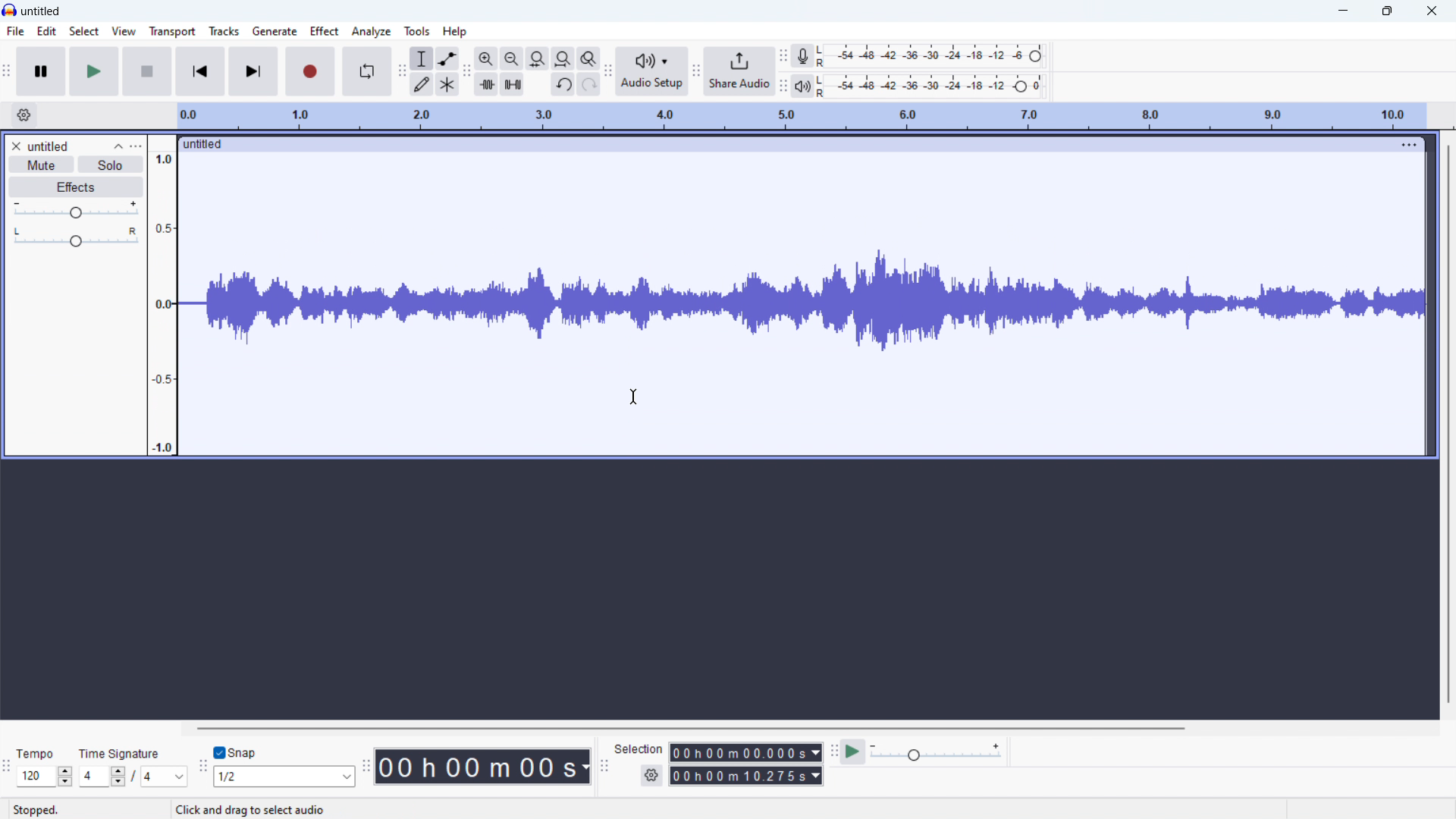 This screenshot has height=819, width=1456. What do you see at coordinates (202, 769) in the screenshot?
I see `snapping toolbar` at bounding box center [202, 769].